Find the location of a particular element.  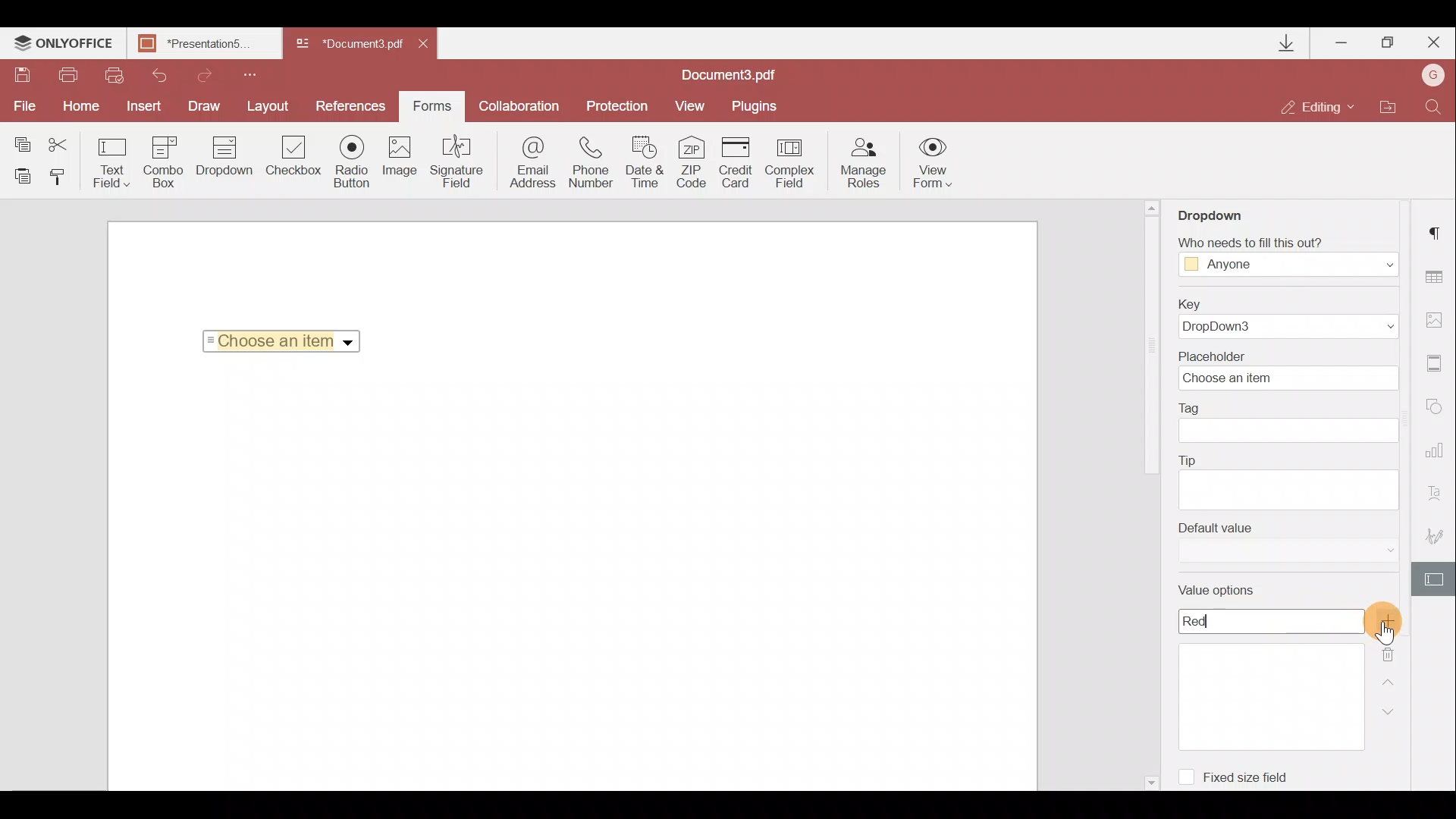

Image settings is located at coordinates (1439, 319).